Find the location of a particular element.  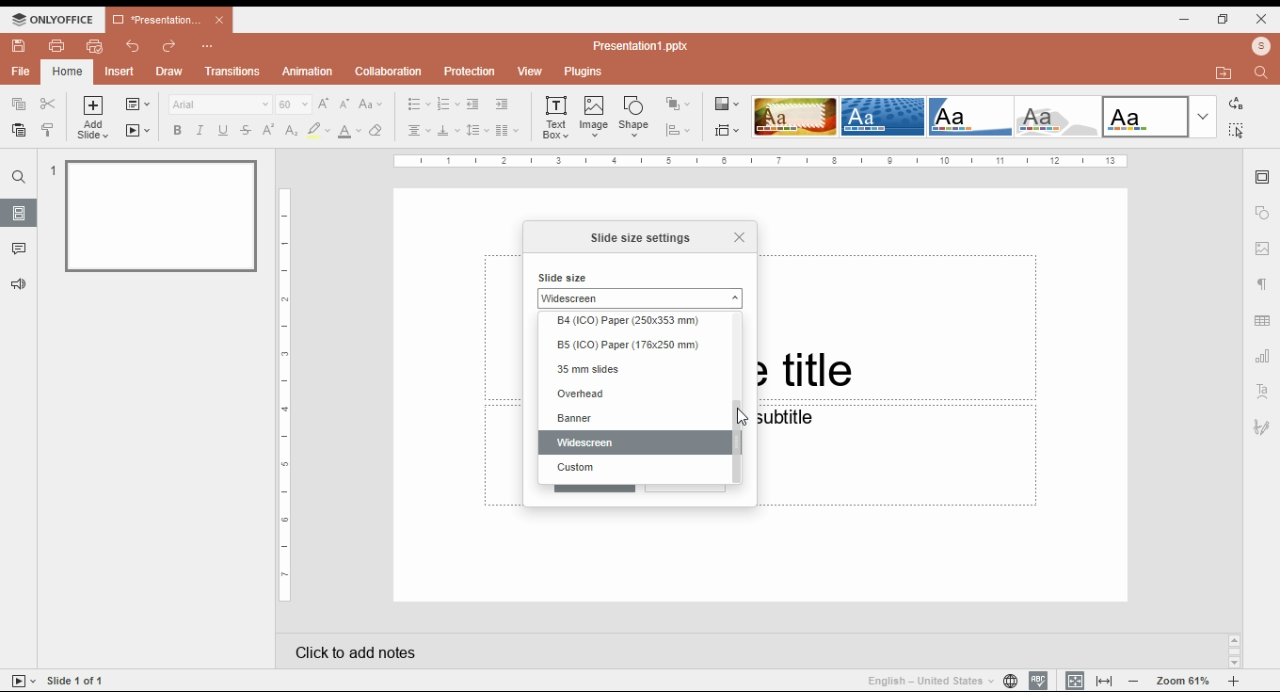

quick print  is located at coordinates (95, 46).